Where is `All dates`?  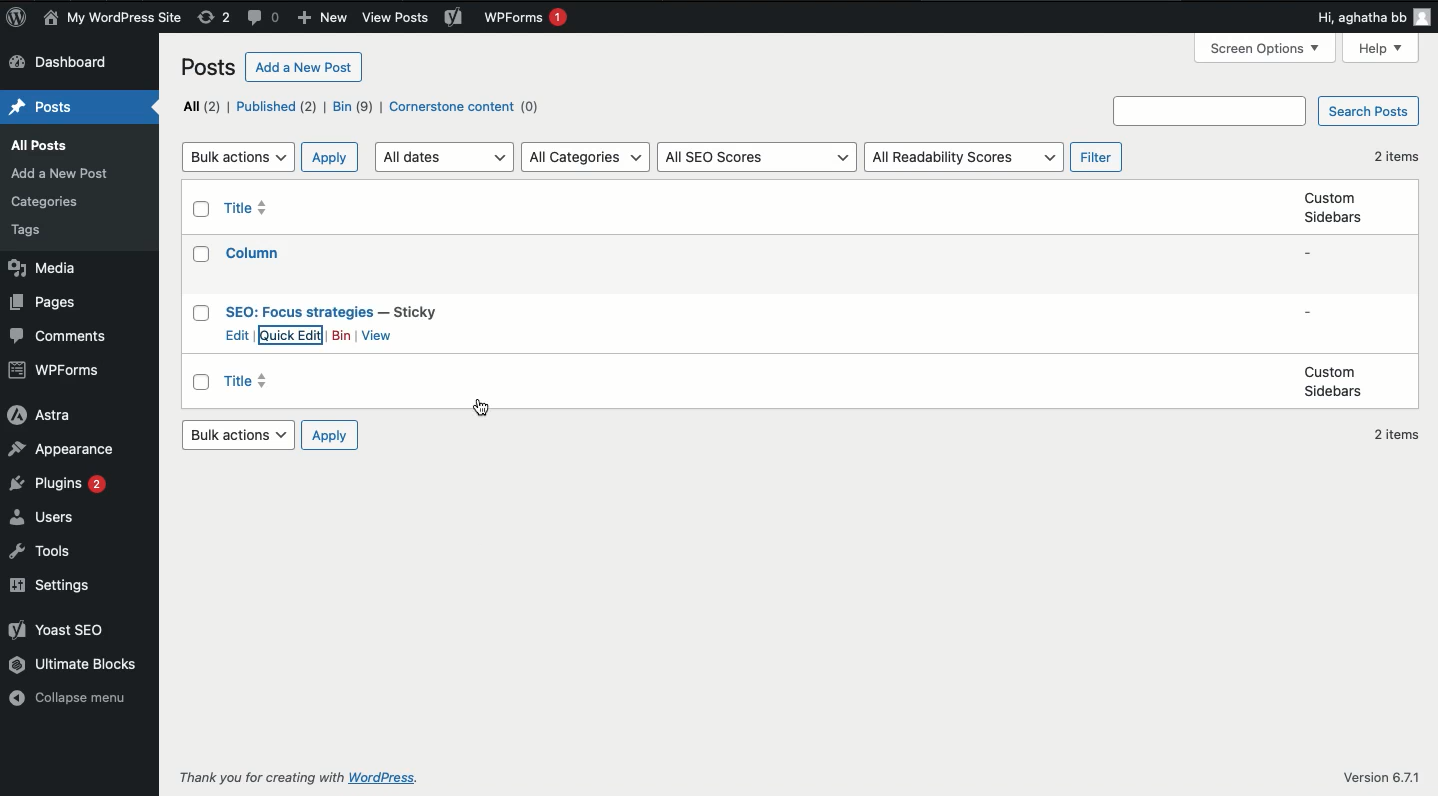 All dates is located at coordinates (447, 156).